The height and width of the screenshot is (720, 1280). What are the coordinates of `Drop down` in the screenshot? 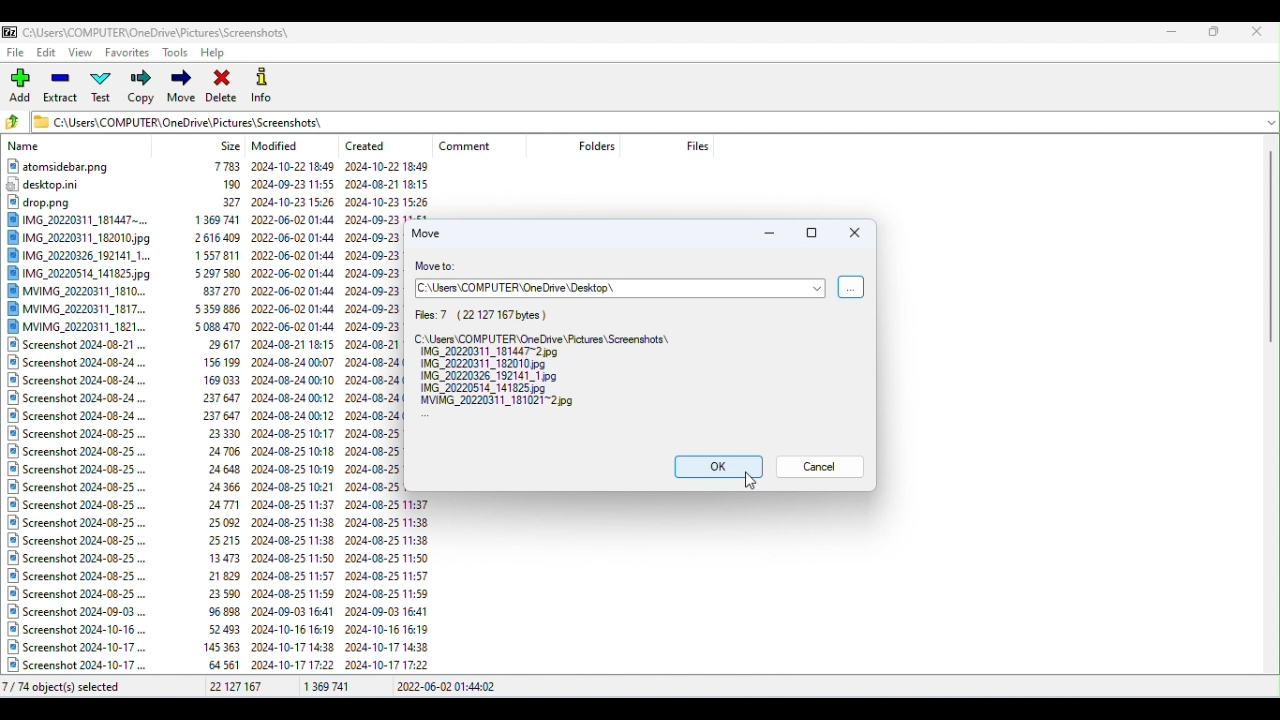 It's located at (816, 288).